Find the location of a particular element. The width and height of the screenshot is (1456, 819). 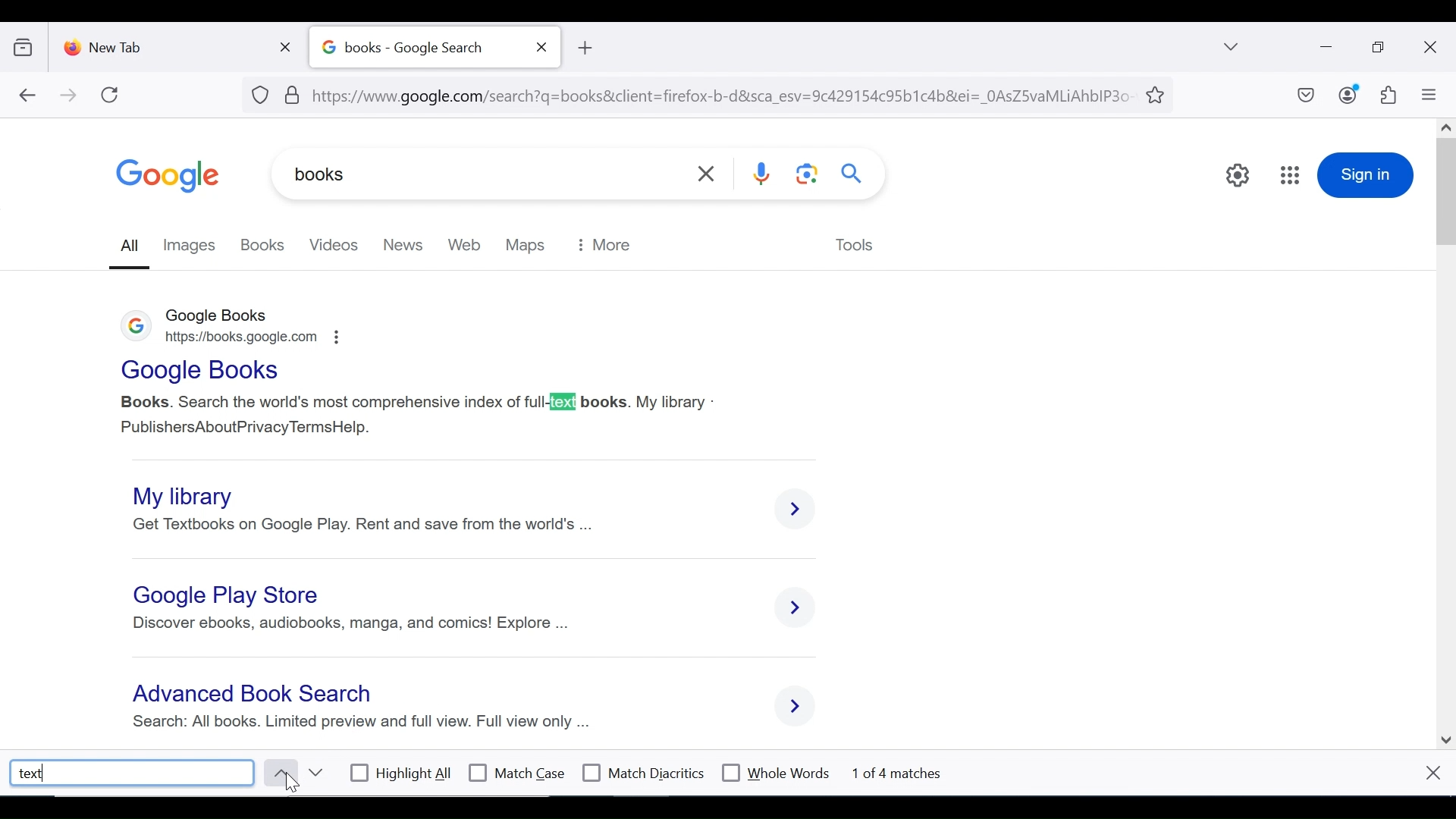

clear search is located at coordinates (708, 174).